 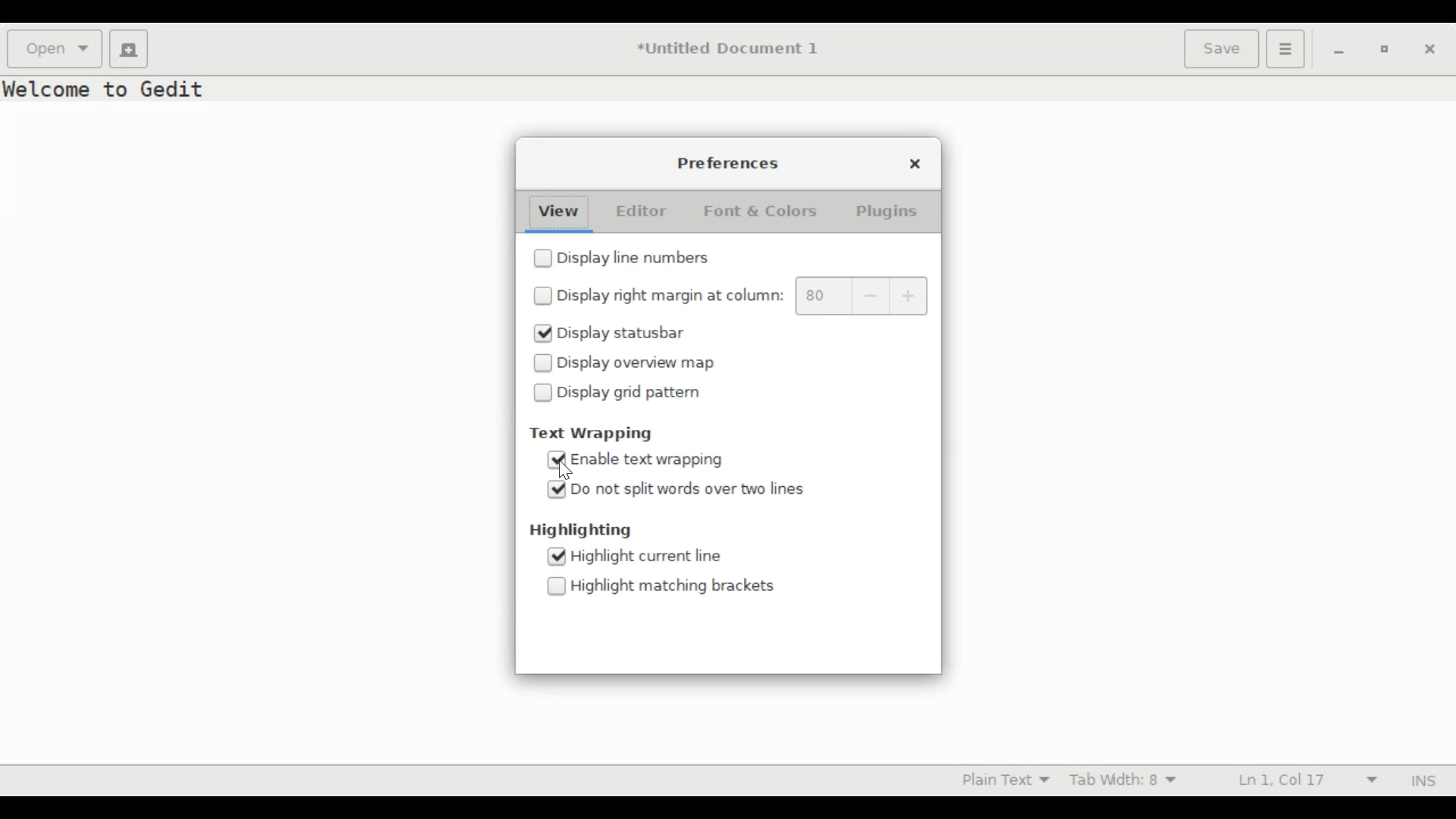 What do you see at coordinates (566, 472) in the screenshot?
I see `cursor` at bounding box center [566, 472].